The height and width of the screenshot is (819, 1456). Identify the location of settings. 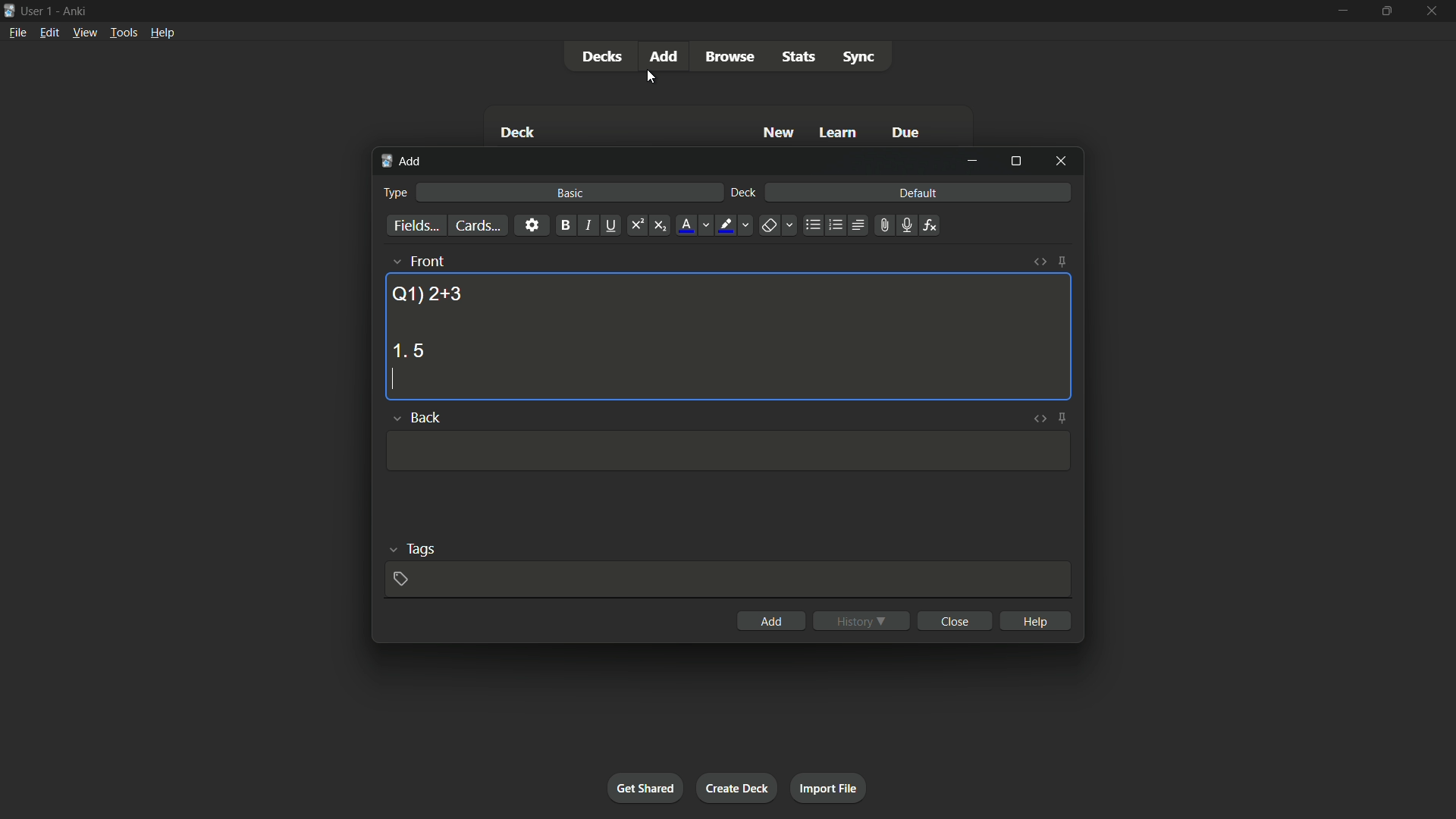
(532, 224).